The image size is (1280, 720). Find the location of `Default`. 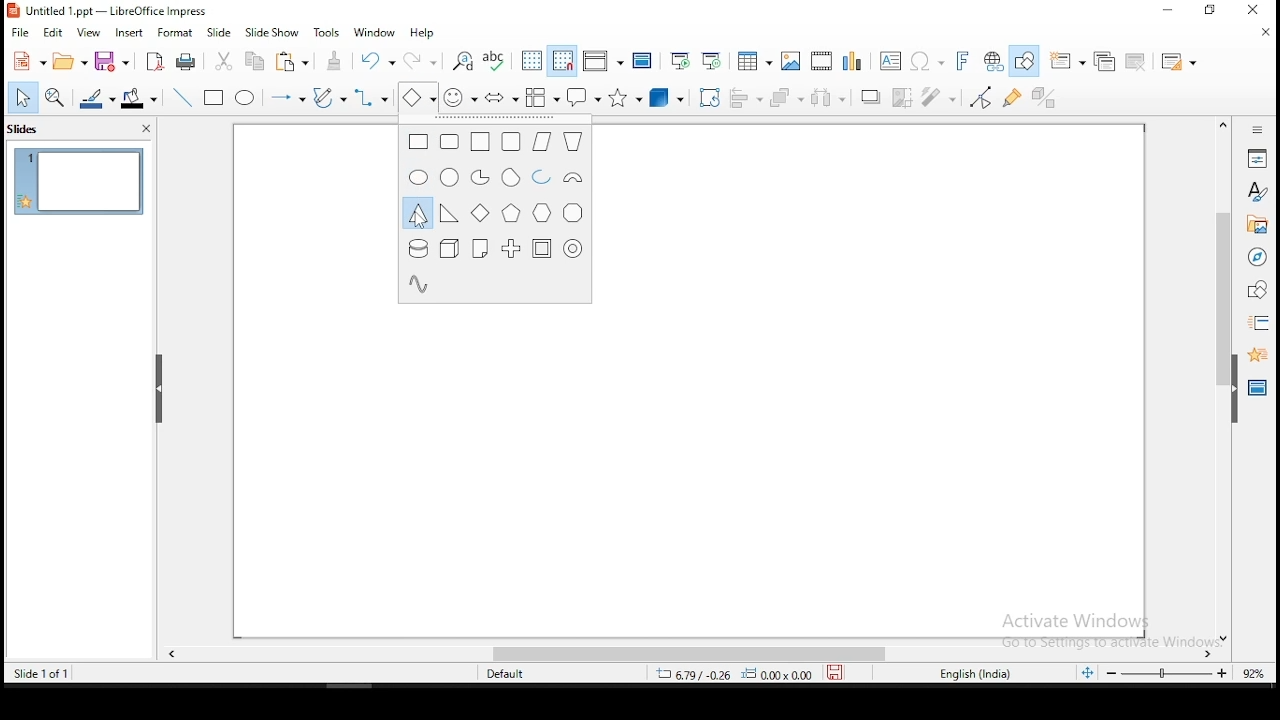

Default is located at coordinates (514, 674).